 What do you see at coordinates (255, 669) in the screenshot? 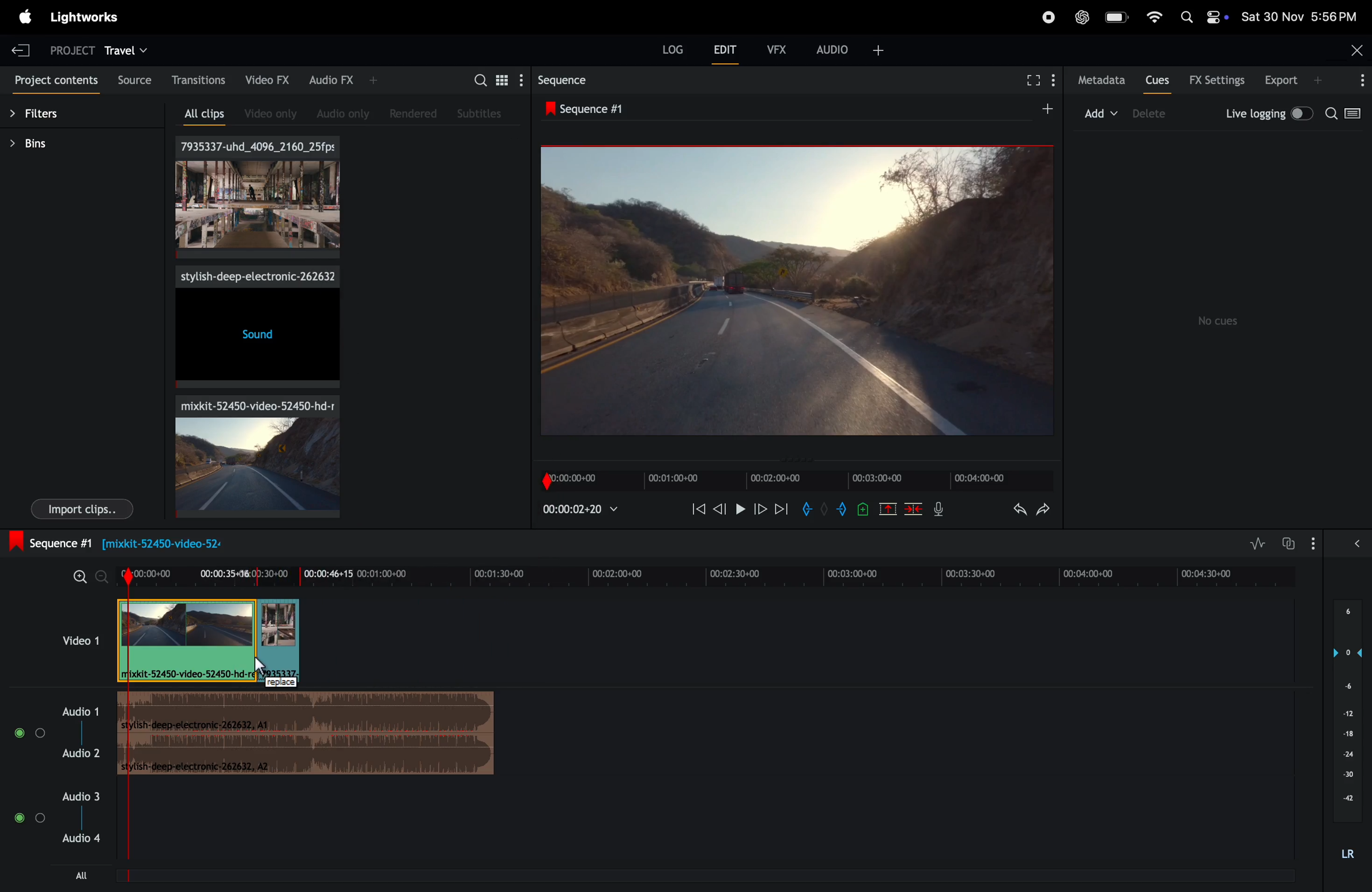
I see `cursor` at bounding box center [255, 669].